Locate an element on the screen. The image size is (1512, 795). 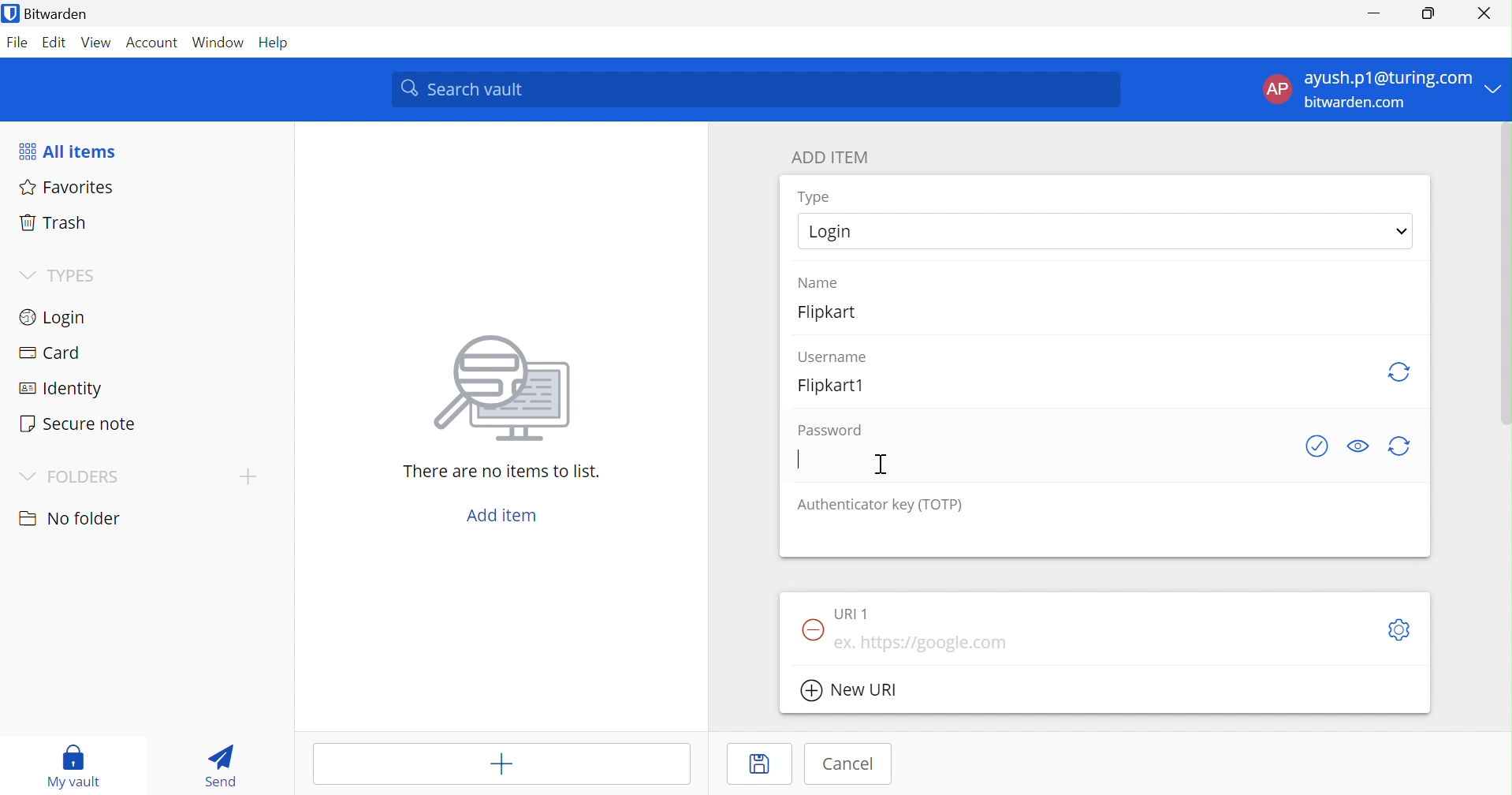
All items is located at coordinates (70, 151).